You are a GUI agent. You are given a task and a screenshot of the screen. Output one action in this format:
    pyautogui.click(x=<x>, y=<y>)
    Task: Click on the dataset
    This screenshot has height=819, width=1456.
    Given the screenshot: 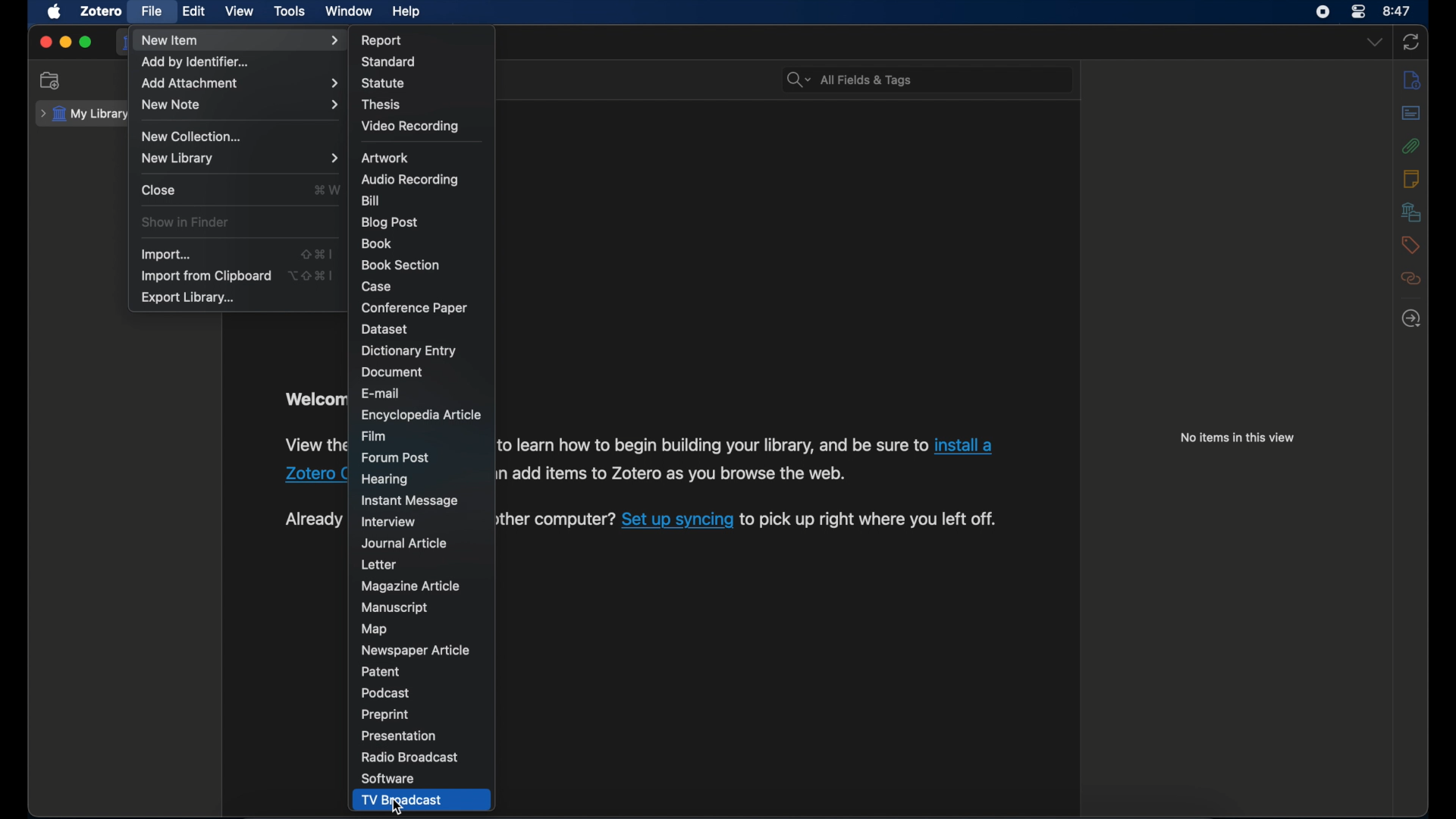 What is the action you would take?
    pyautogui.click(x=388, y=329)
    